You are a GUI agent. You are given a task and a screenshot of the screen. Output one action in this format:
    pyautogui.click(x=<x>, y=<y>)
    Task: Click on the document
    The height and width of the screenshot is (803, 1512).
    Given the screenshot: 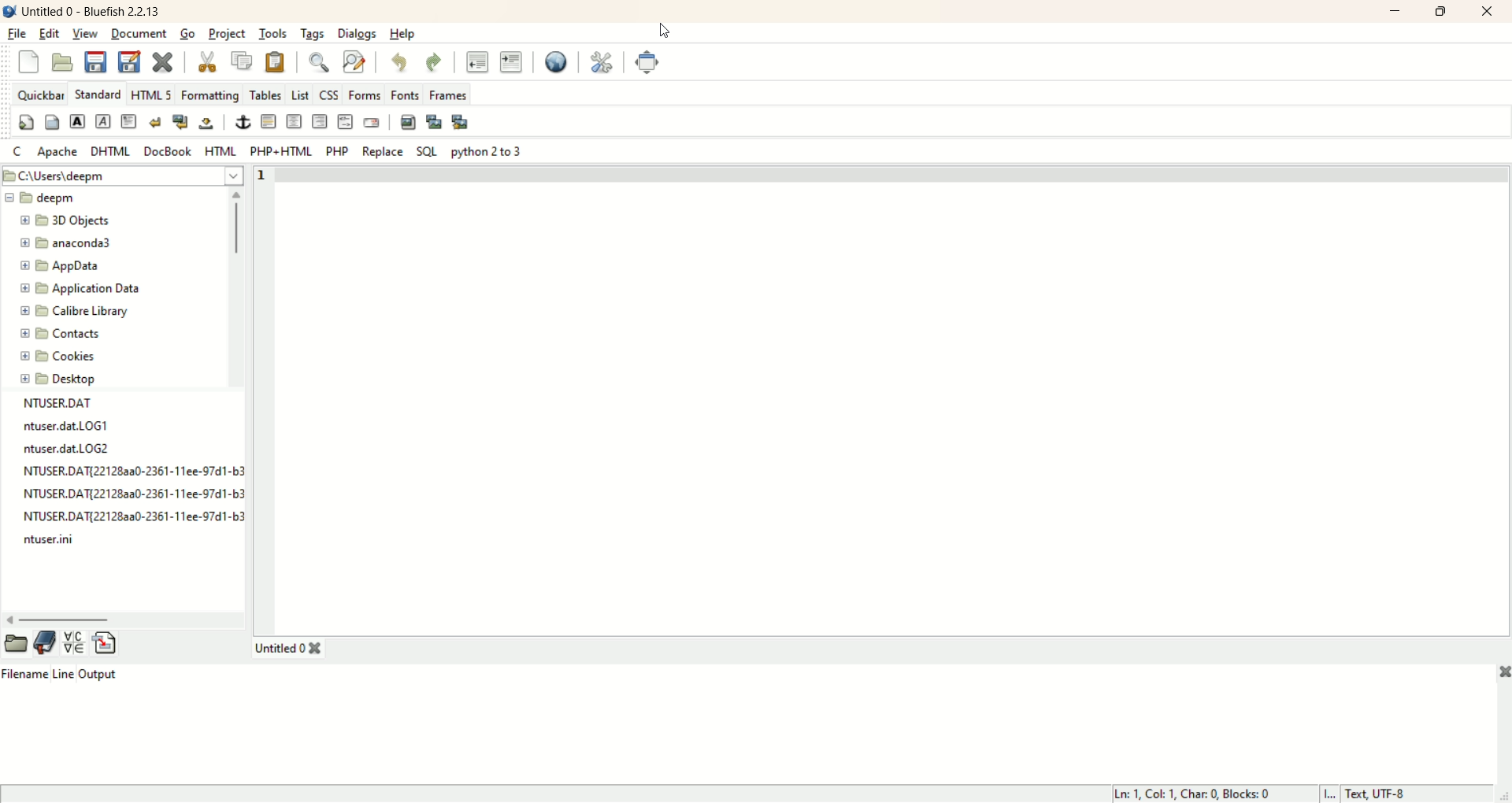 What is the action you would take?
    pyautogui.click(x=140, y=35)
    